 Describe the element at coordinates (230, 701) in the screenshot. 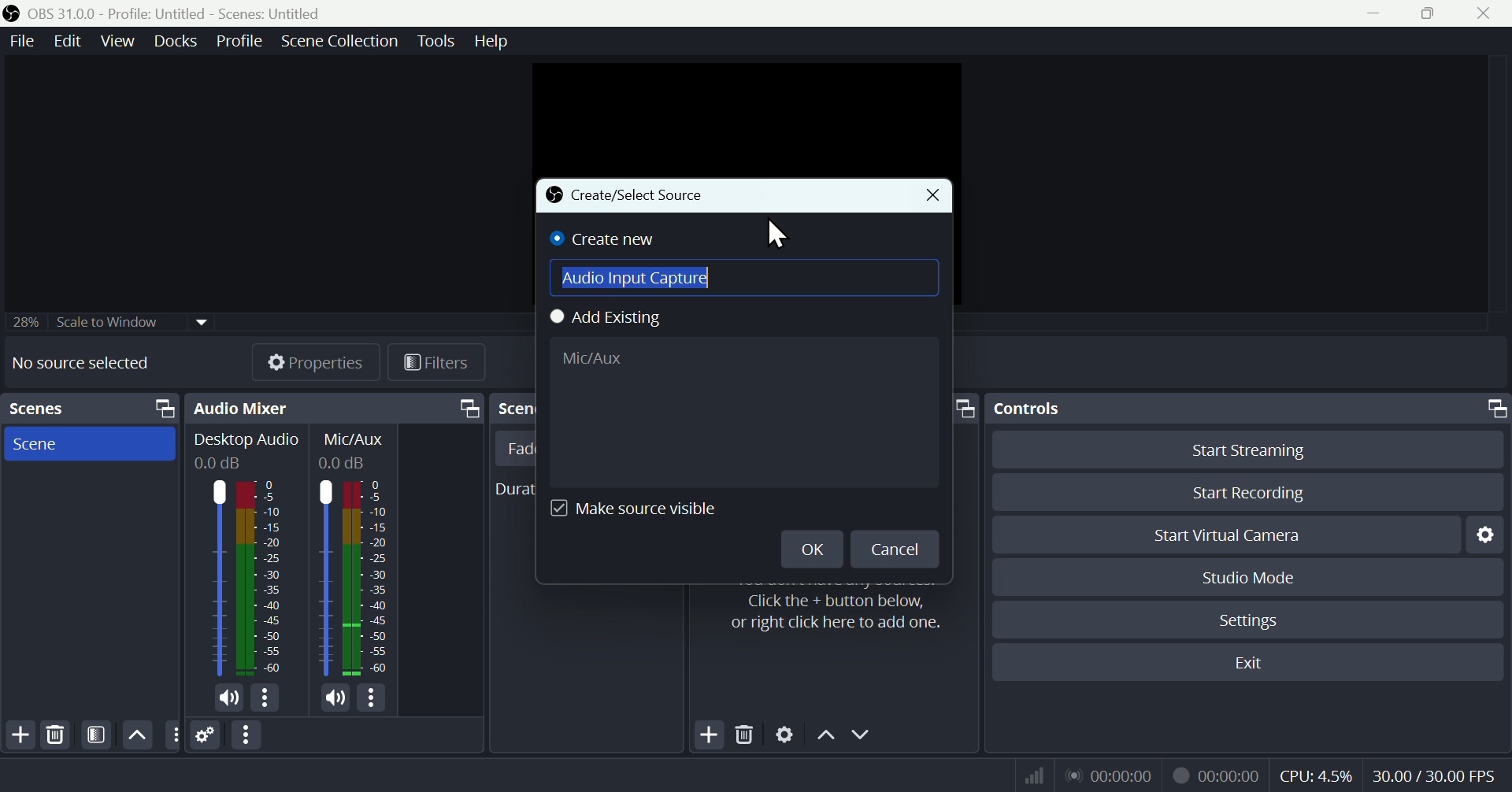

I see `(un)mute` at that location.